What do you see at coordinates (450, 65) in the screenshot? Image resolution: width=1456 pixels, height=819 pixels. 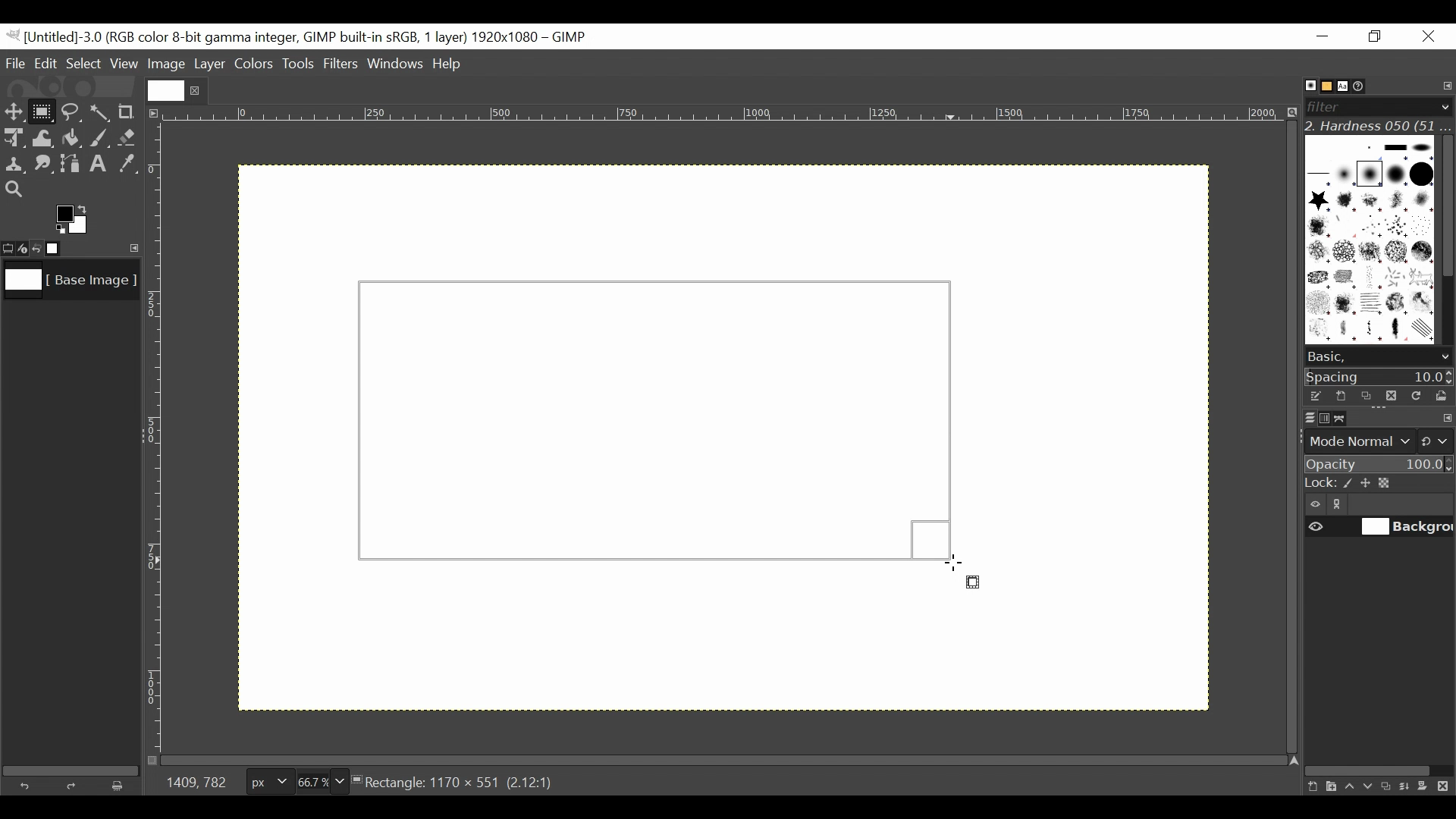 I see `Help` at bounding box center [450, 65].